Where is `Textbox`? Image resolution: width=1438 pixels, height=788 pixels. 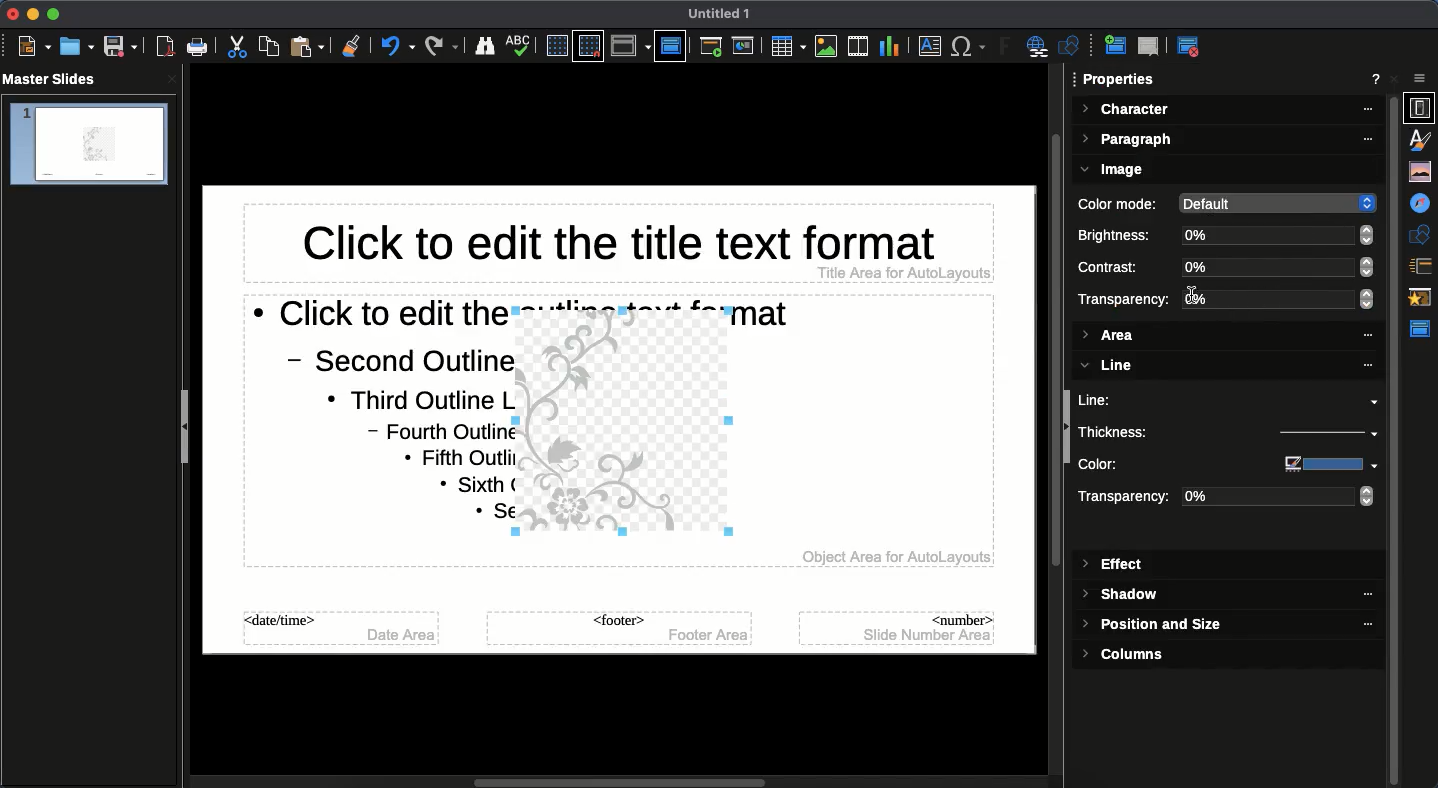 Textbox is located at coordinates (927, 47).